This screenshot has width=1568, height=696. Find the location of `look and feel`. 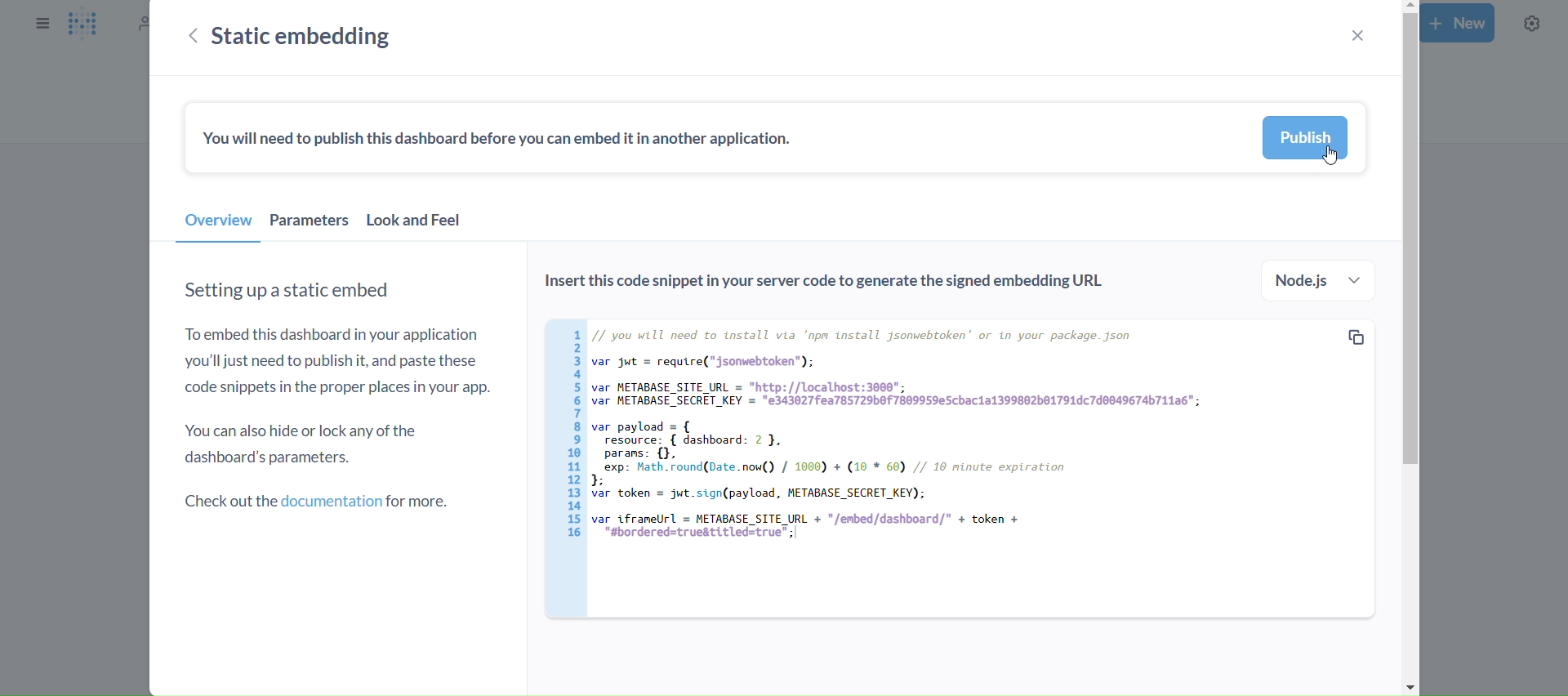

look and feel is located at coordinates (414, 225).